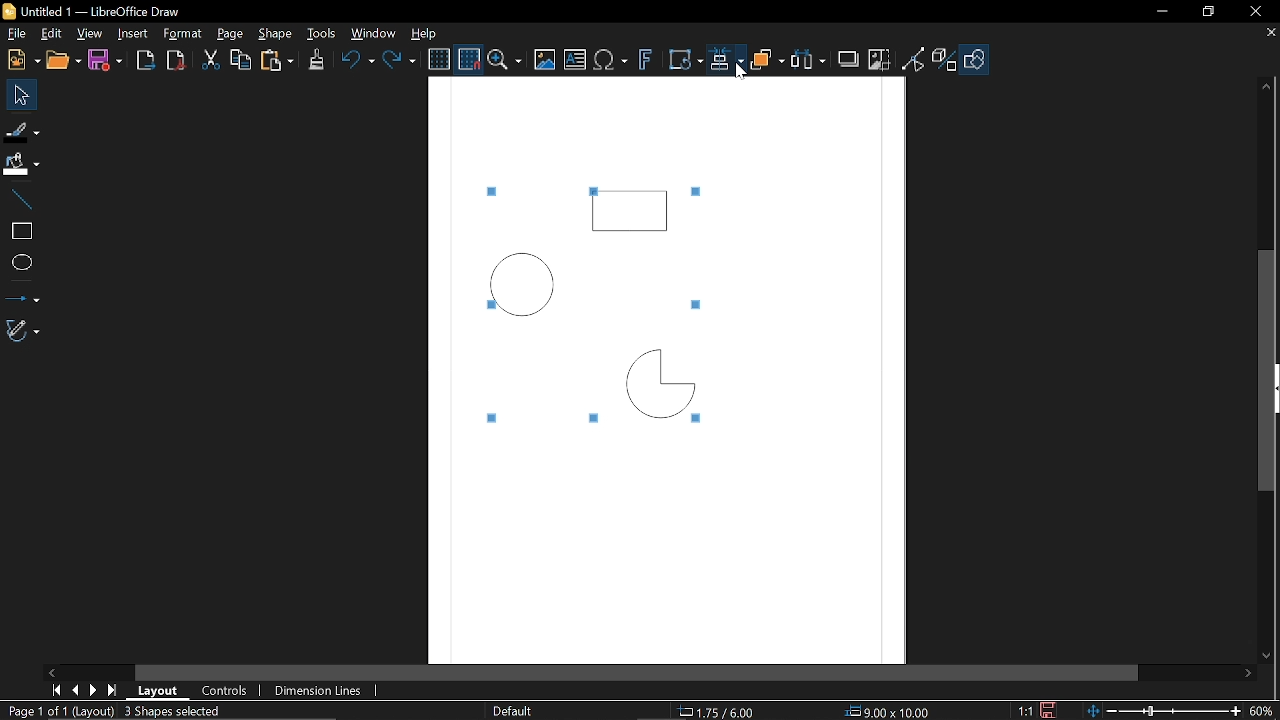 This screenshot has width=1280, height=720. I want to click on Fill Line , so click(22, 131).